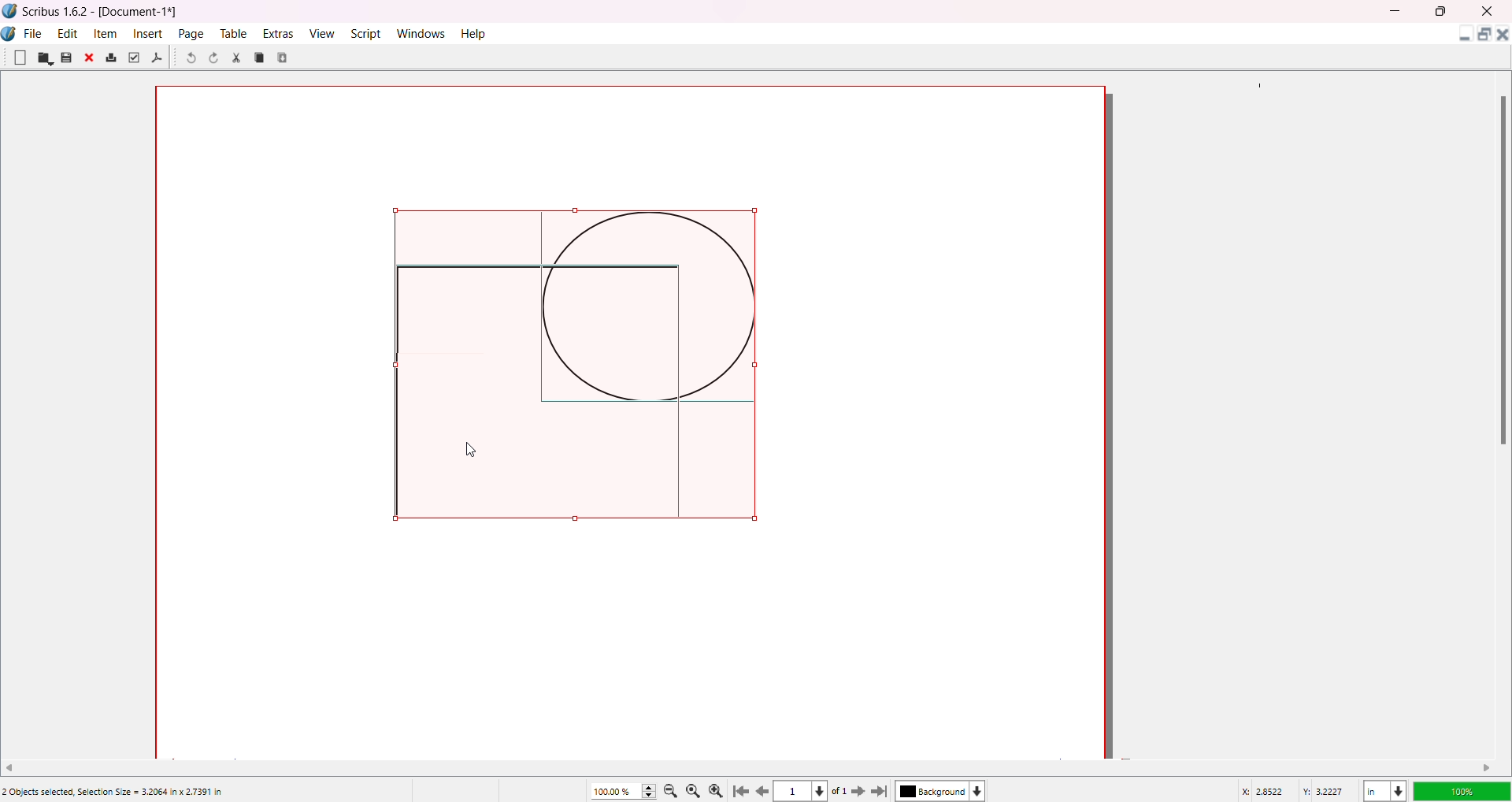 This screenshot has height=802, width=1512. What do you see at coordinates (11, 34) in the screenshot?
I see `Logo` at bounding box center [11, 34].